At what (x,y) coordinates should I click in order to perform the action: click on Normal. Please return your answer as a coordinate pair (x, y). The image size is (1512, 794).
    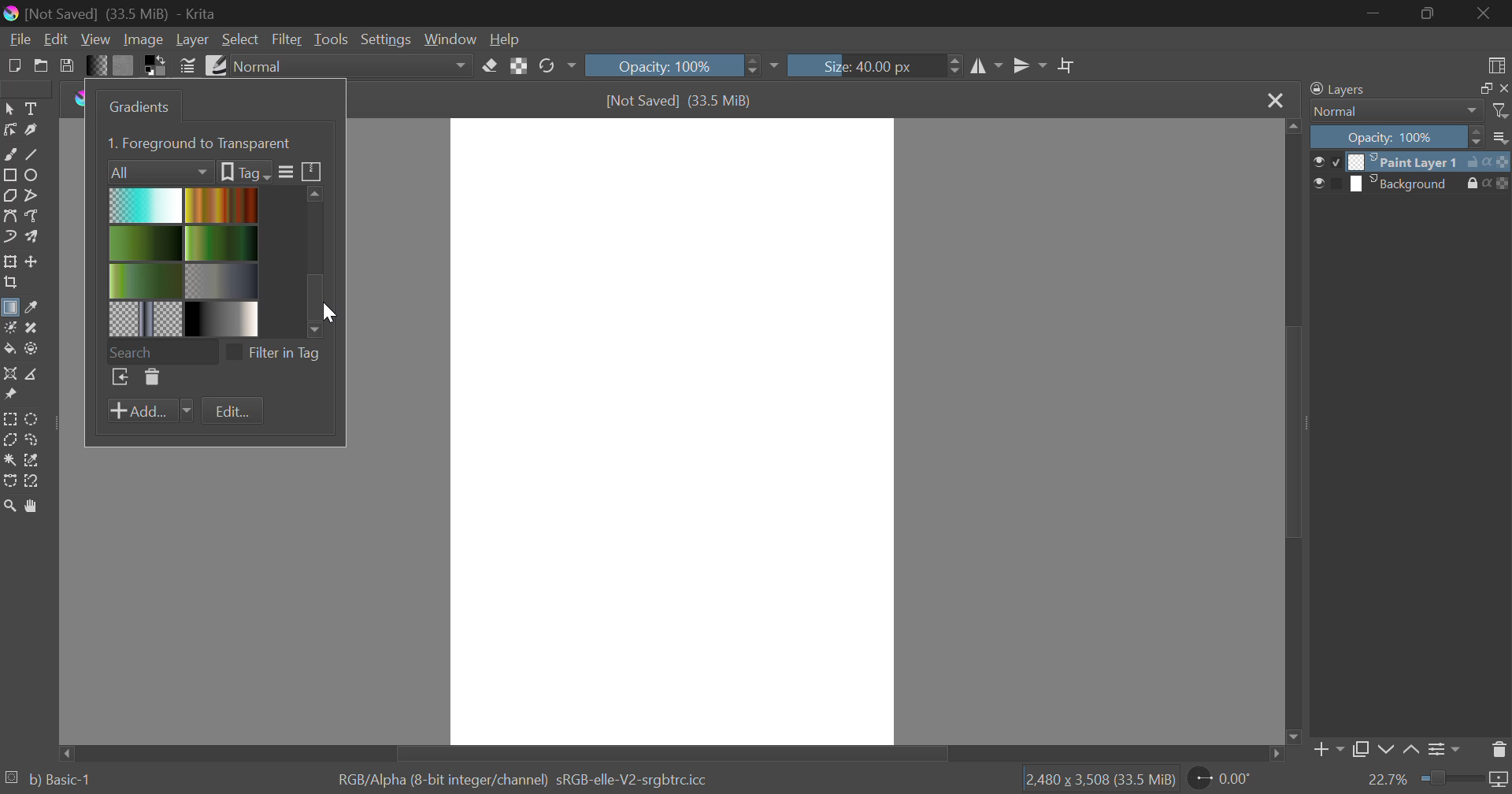
    Looking at the image, I should click on (354, 66).